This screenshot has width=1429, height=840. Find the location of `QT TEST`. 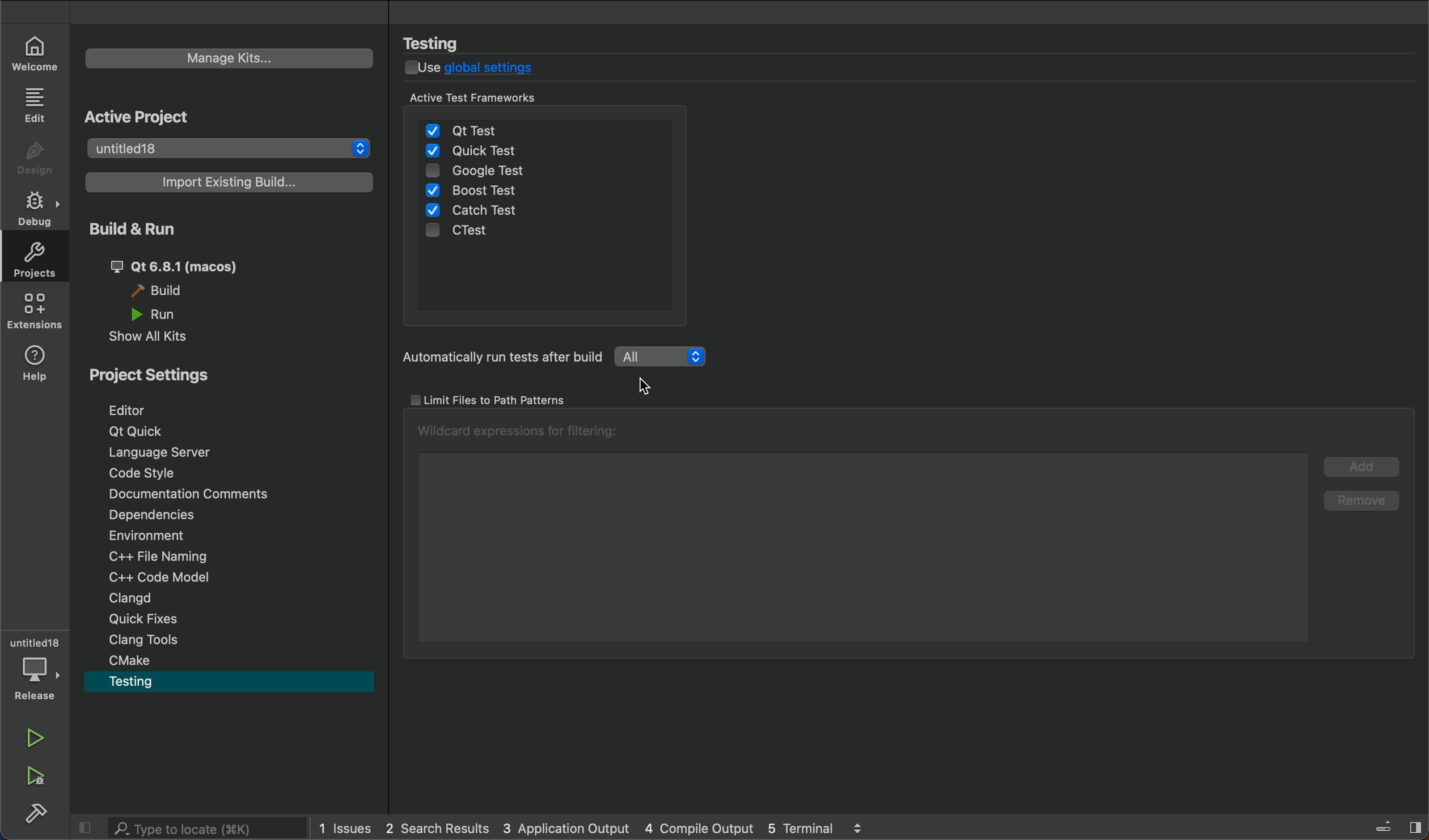

QT TEST is located at coordinates (467, 127).